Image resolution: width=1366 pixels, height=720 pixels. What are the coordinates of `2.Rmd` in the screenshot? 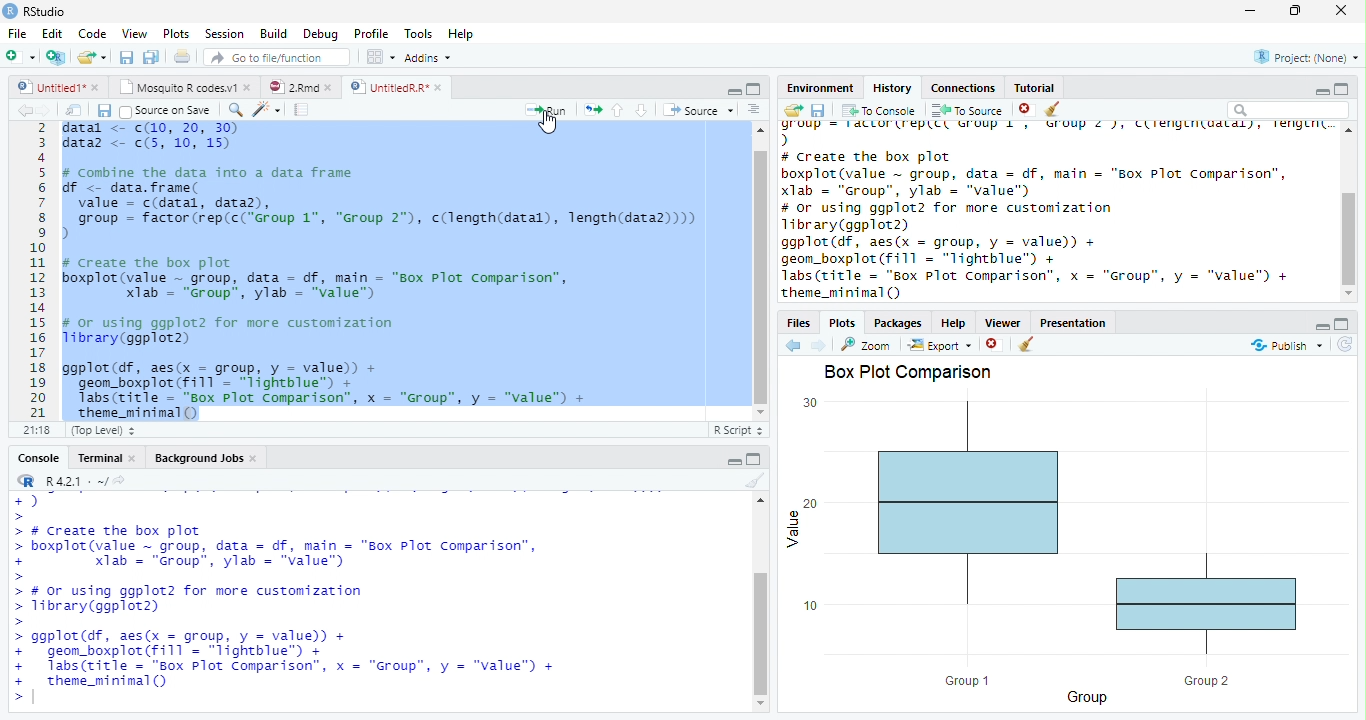 It's located at (292, 87).